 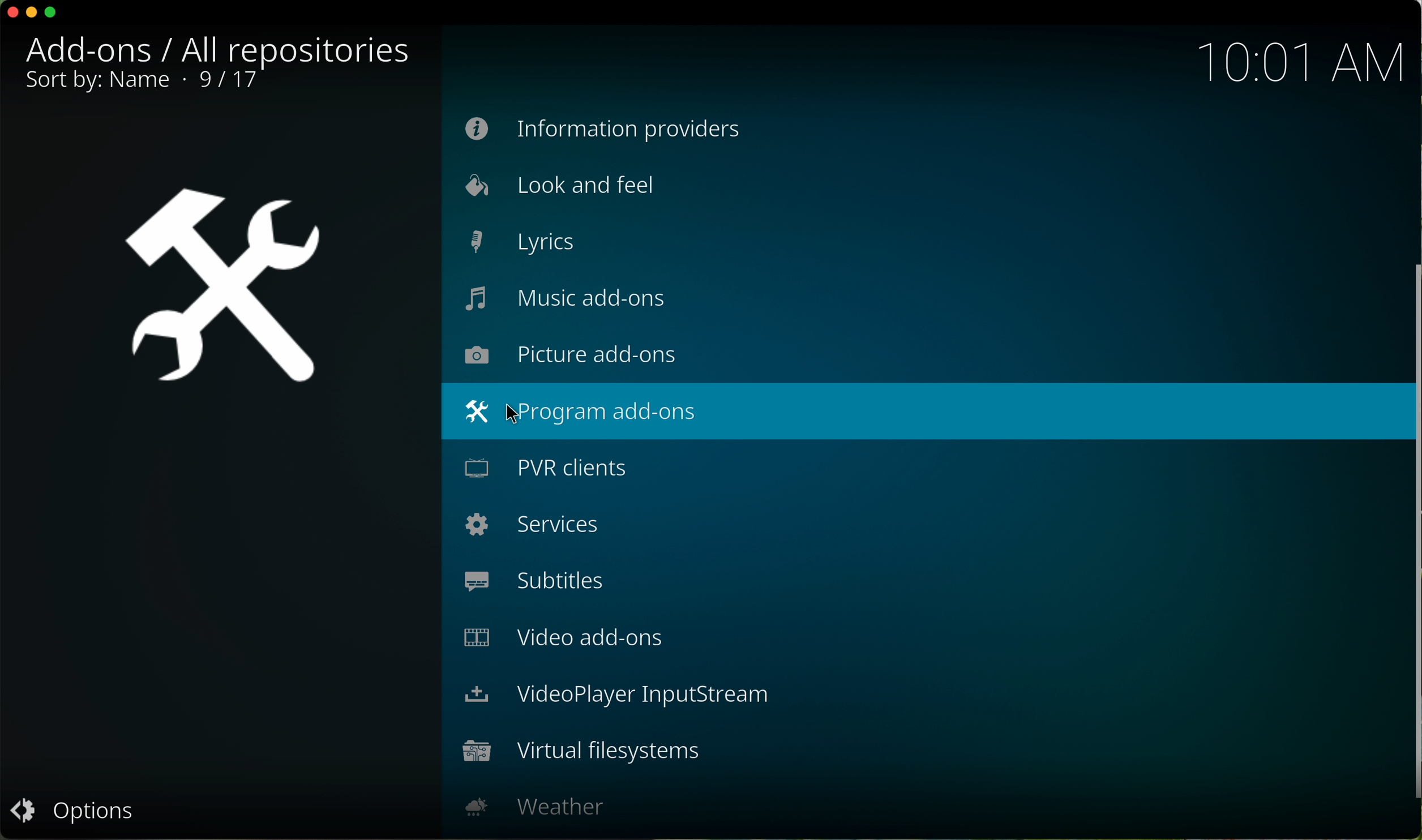 I want to click on lyrics, so click(x=520, y=243).